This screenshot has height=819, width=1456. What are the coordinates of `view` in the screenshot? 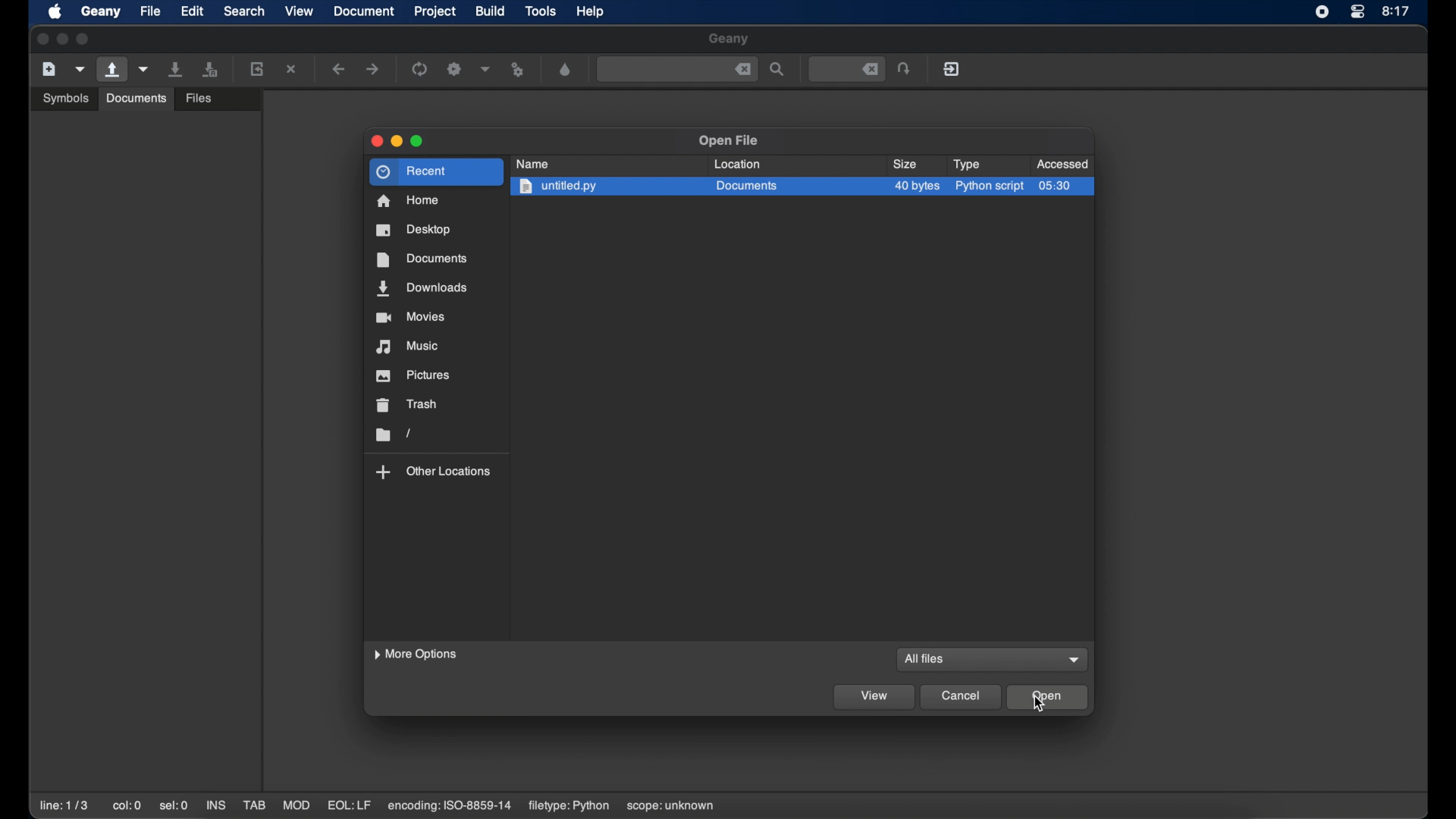 It's located at (873, 698).